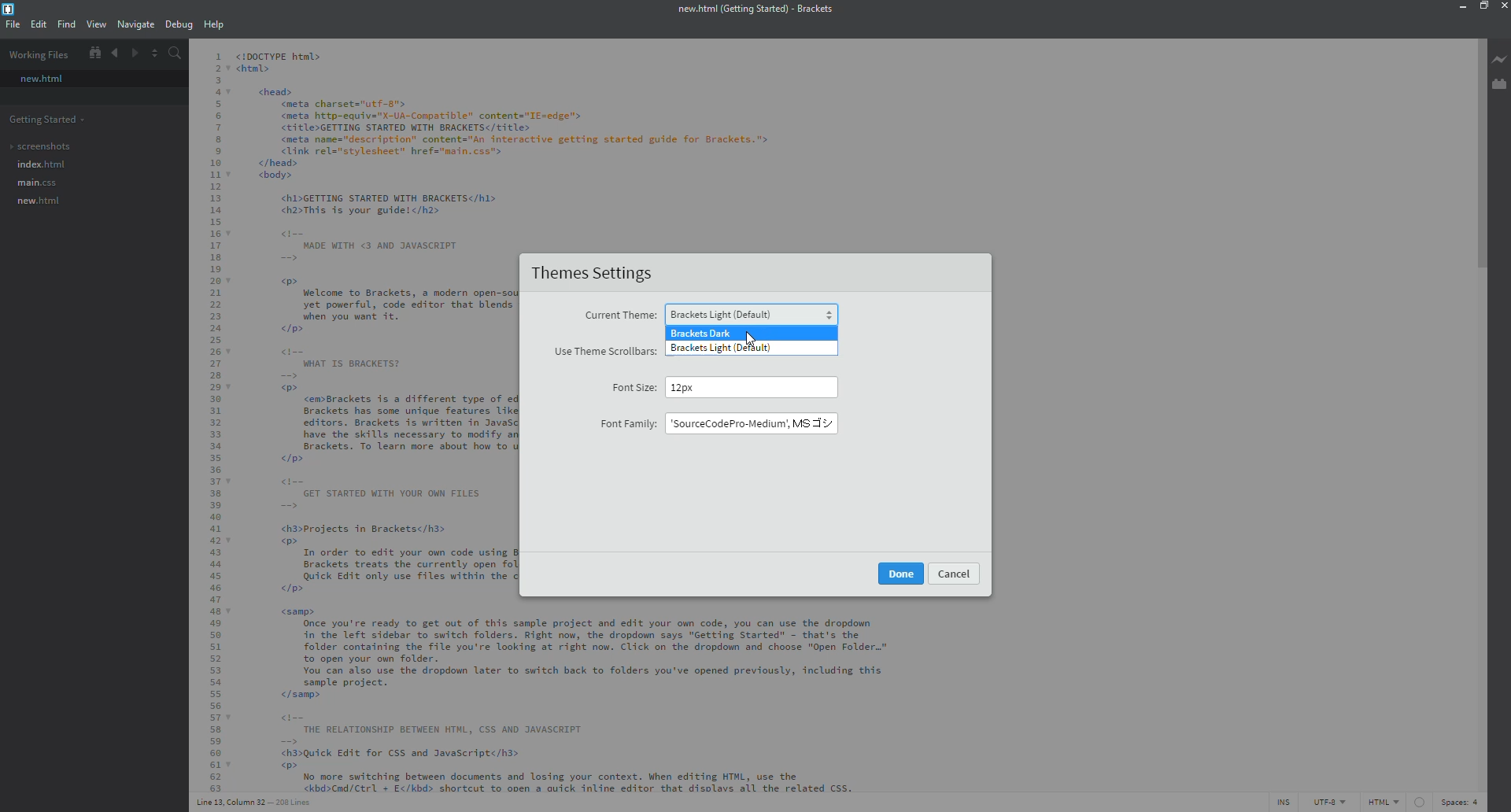  What do you see at coordinates (135, 24) in the screenshot?
I see `navigate` at bounding box center [135, 24].